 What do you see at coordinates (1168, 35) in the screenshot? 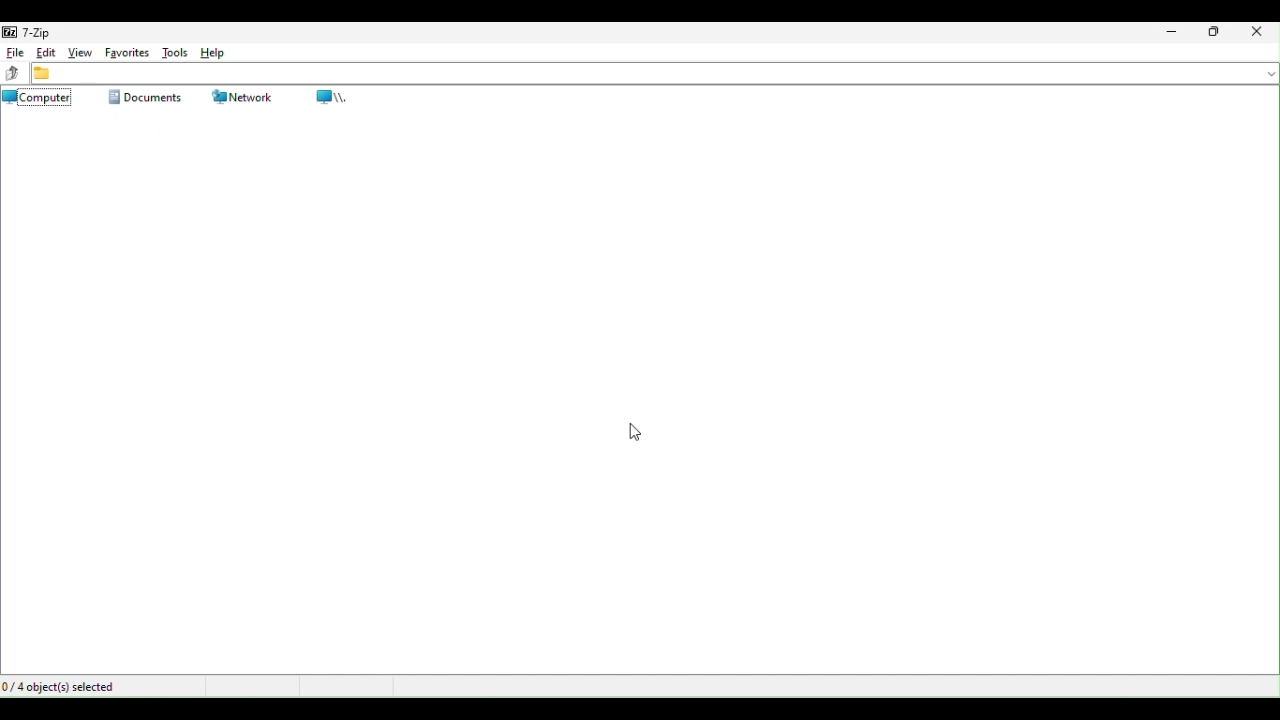
I see `Minimise` at bounding box center [1168, 35].